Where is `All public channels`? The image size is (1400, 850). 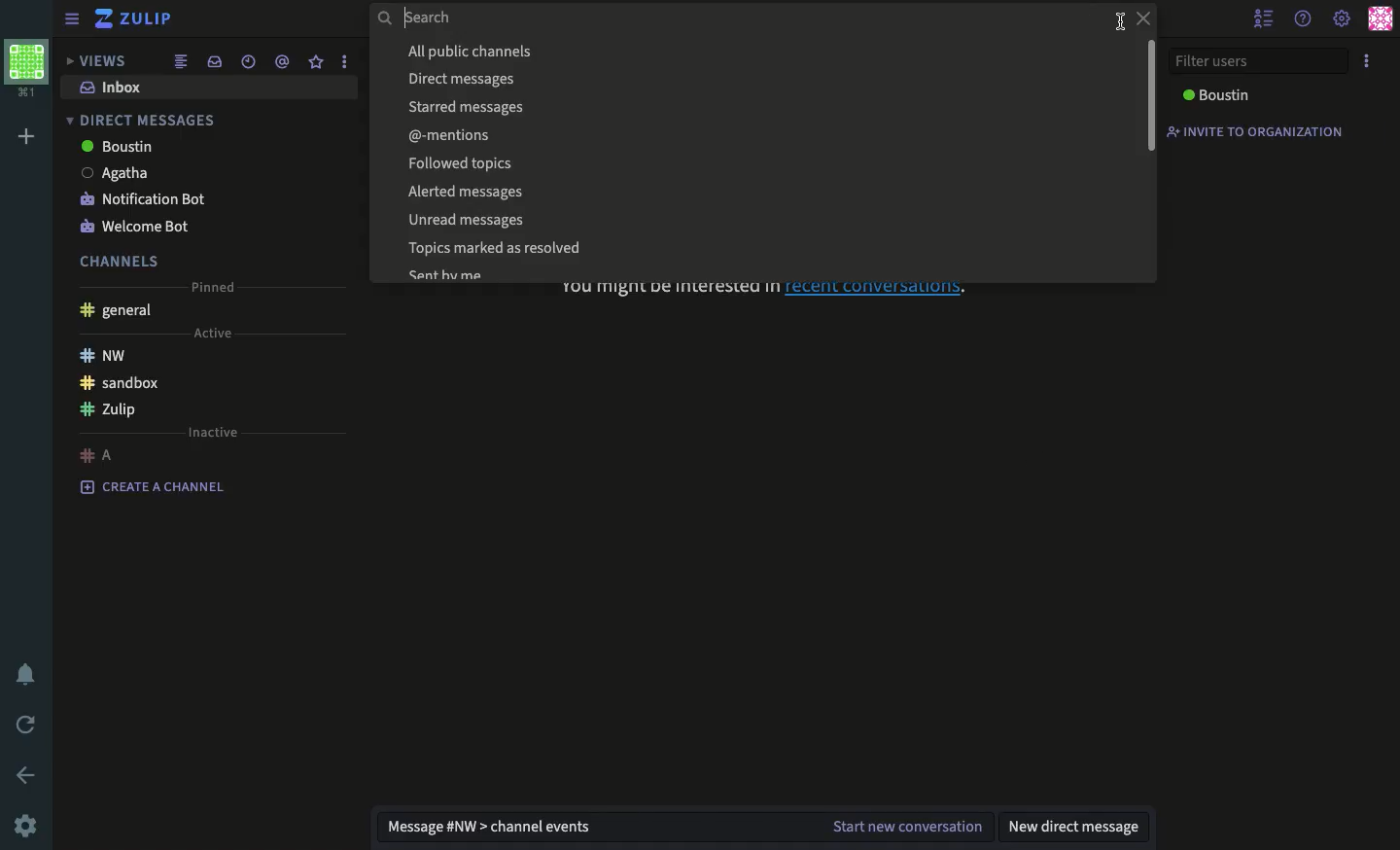
All public channels is located at coordinates (476, 50).